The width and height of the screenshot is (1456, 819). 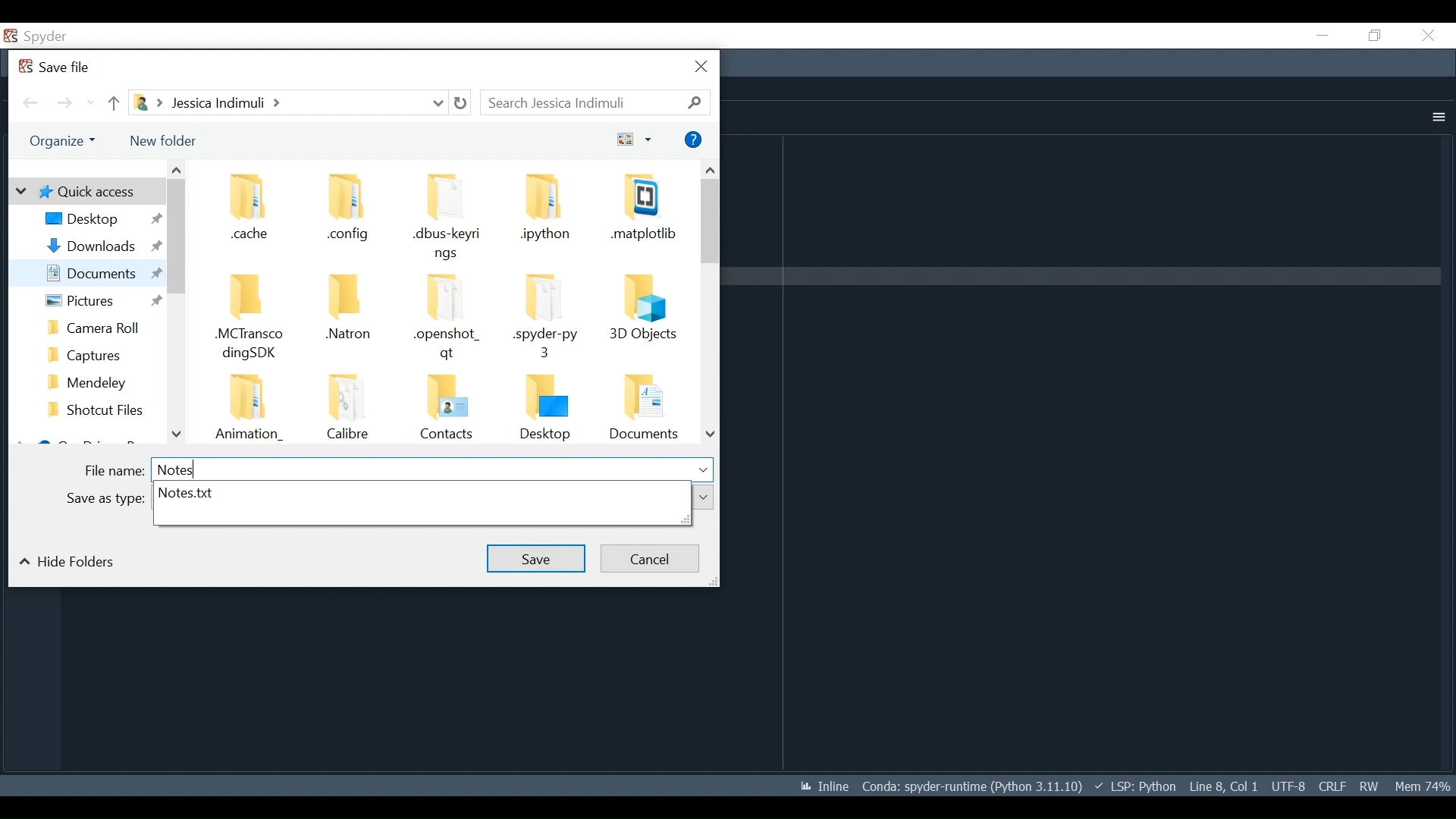 What do you see at coordinates (645, 318) in the screenshot?
I see `Folder` at bounding box center [645, 318].